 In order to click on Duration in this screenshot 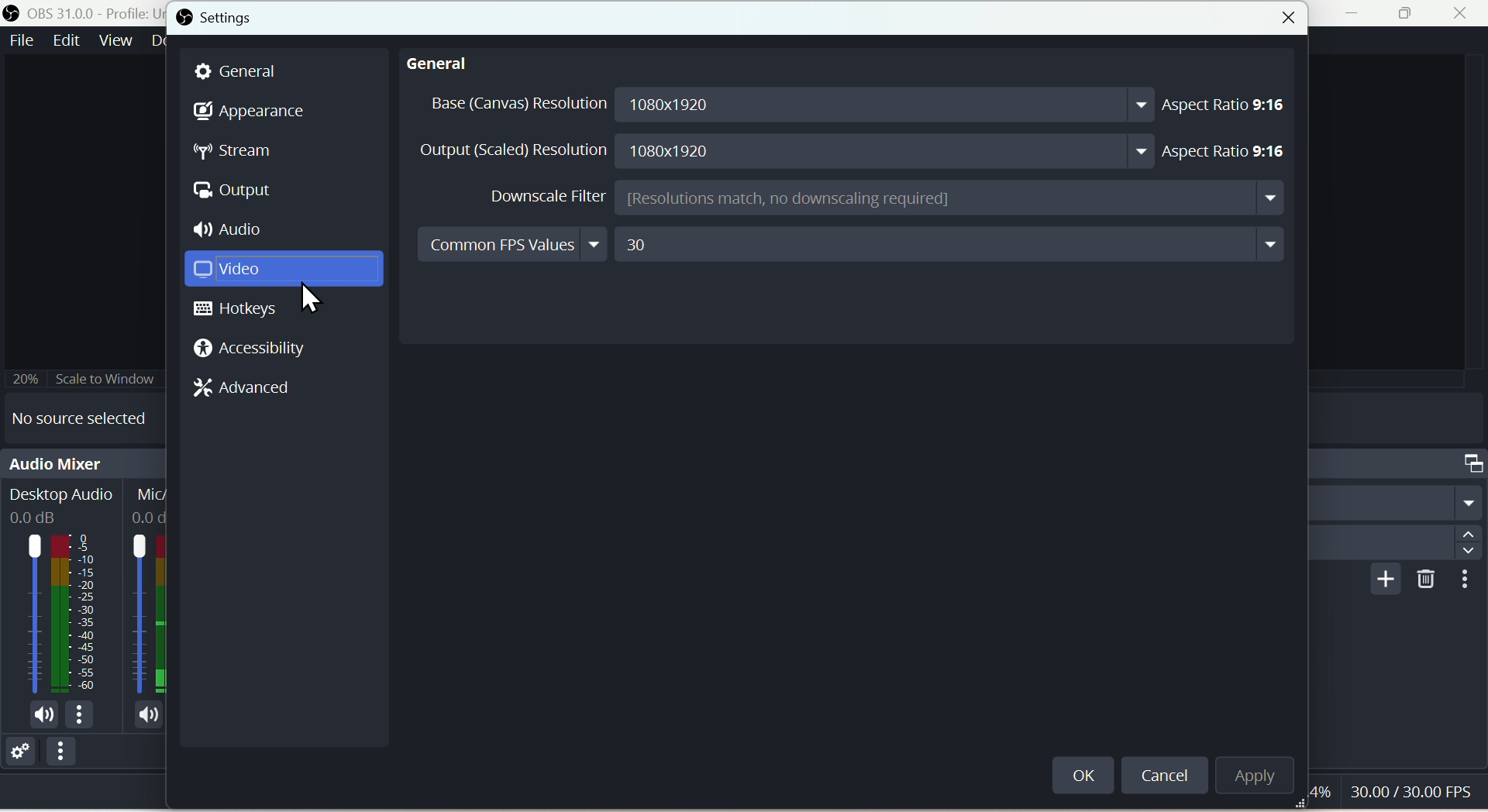, I will do `click(1396, 543)`.